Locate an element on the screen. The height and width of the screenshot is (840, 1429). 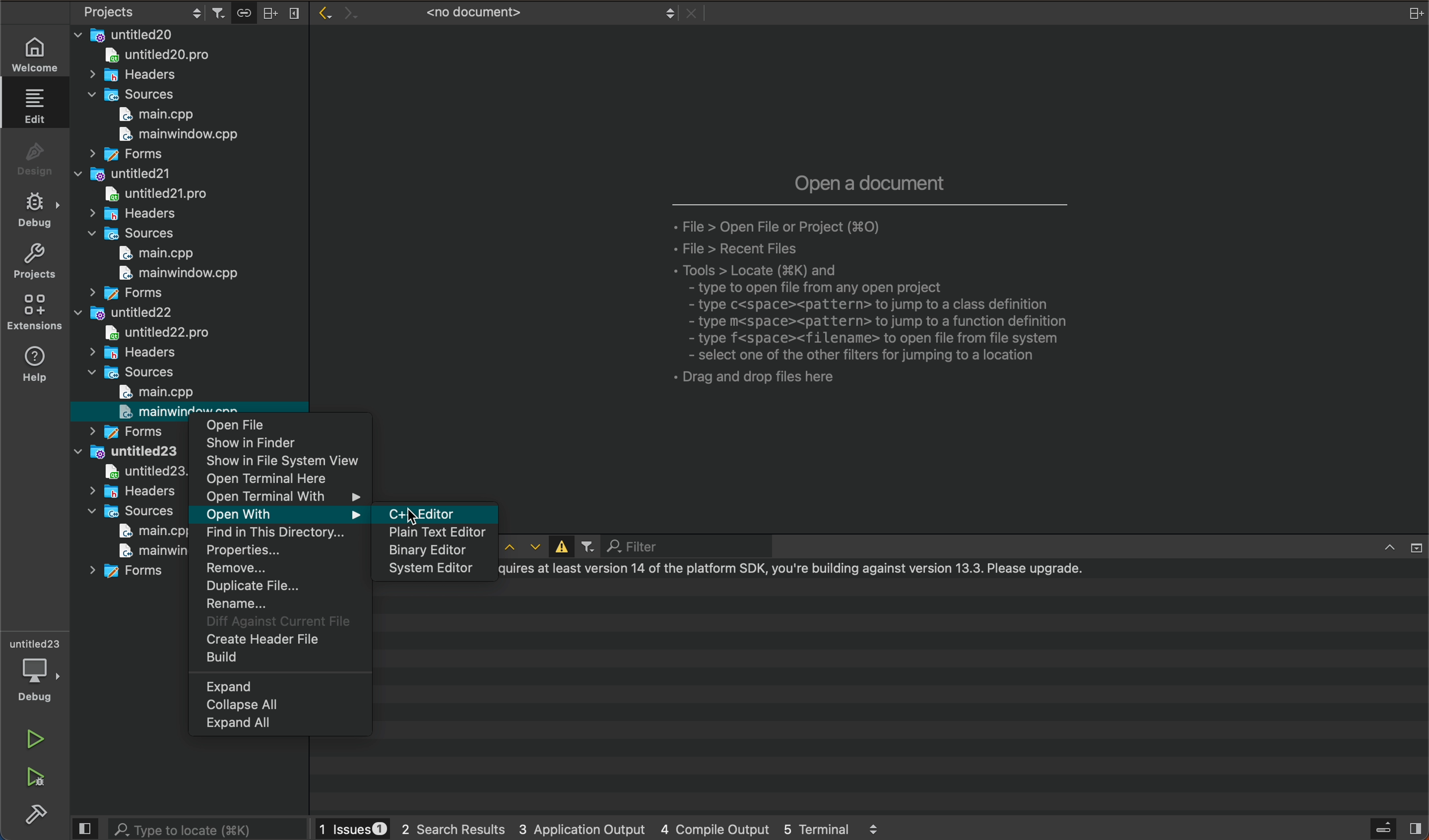
show in file is located at coordinates (285, 461).